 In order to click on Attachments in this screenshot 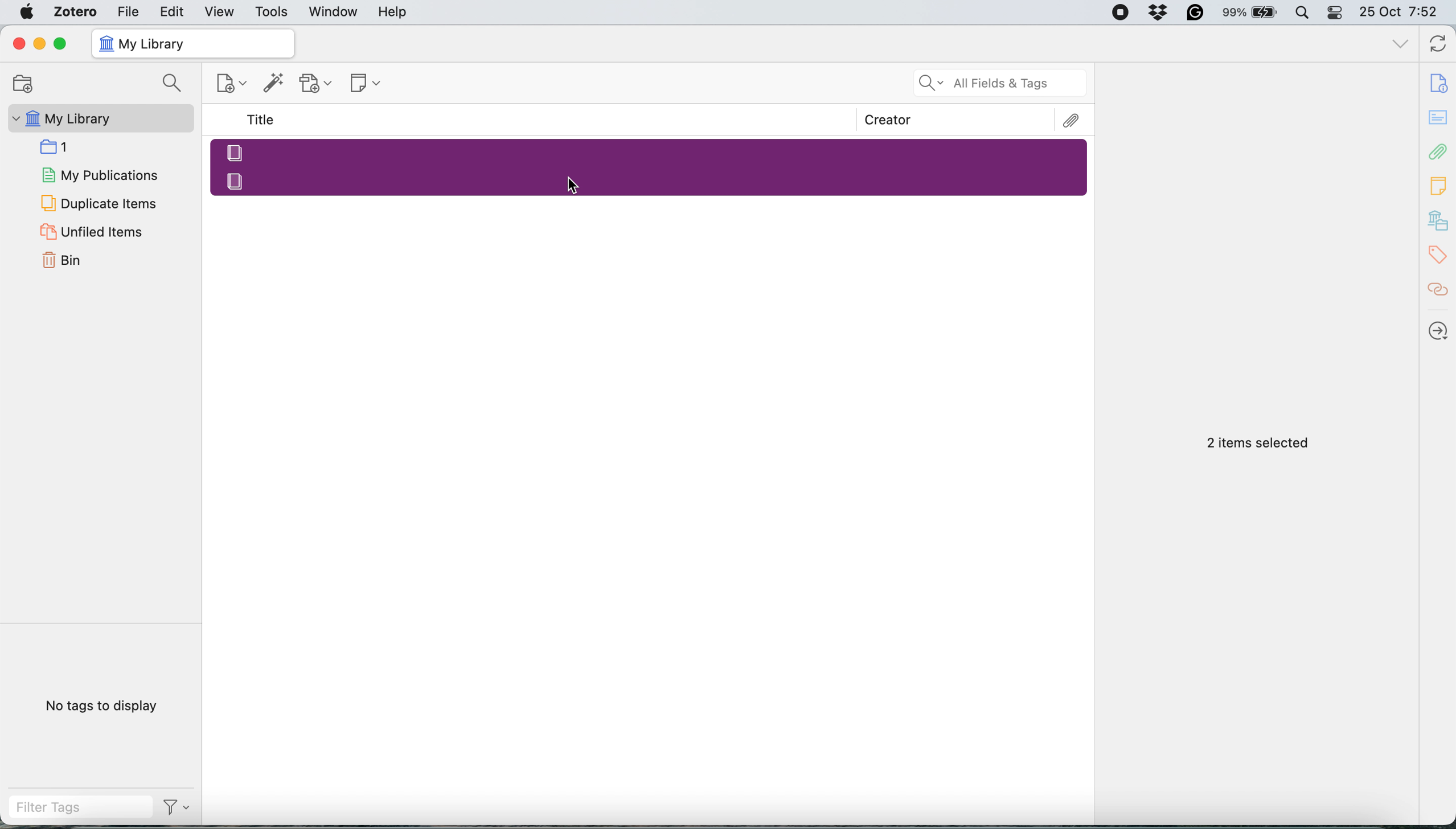, I will do `click(1072, 121)`.